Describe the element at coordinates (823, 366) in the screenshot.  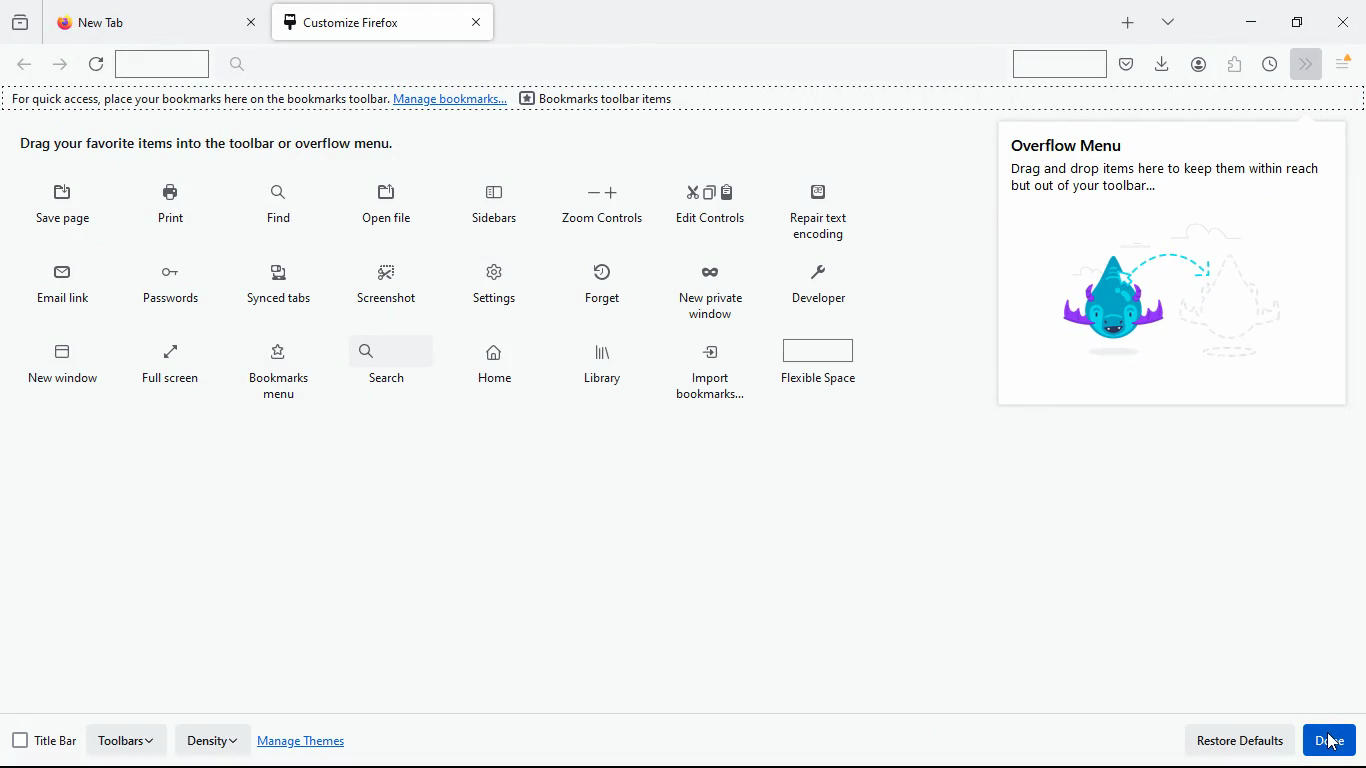
I see `import bookmarks` at that location.